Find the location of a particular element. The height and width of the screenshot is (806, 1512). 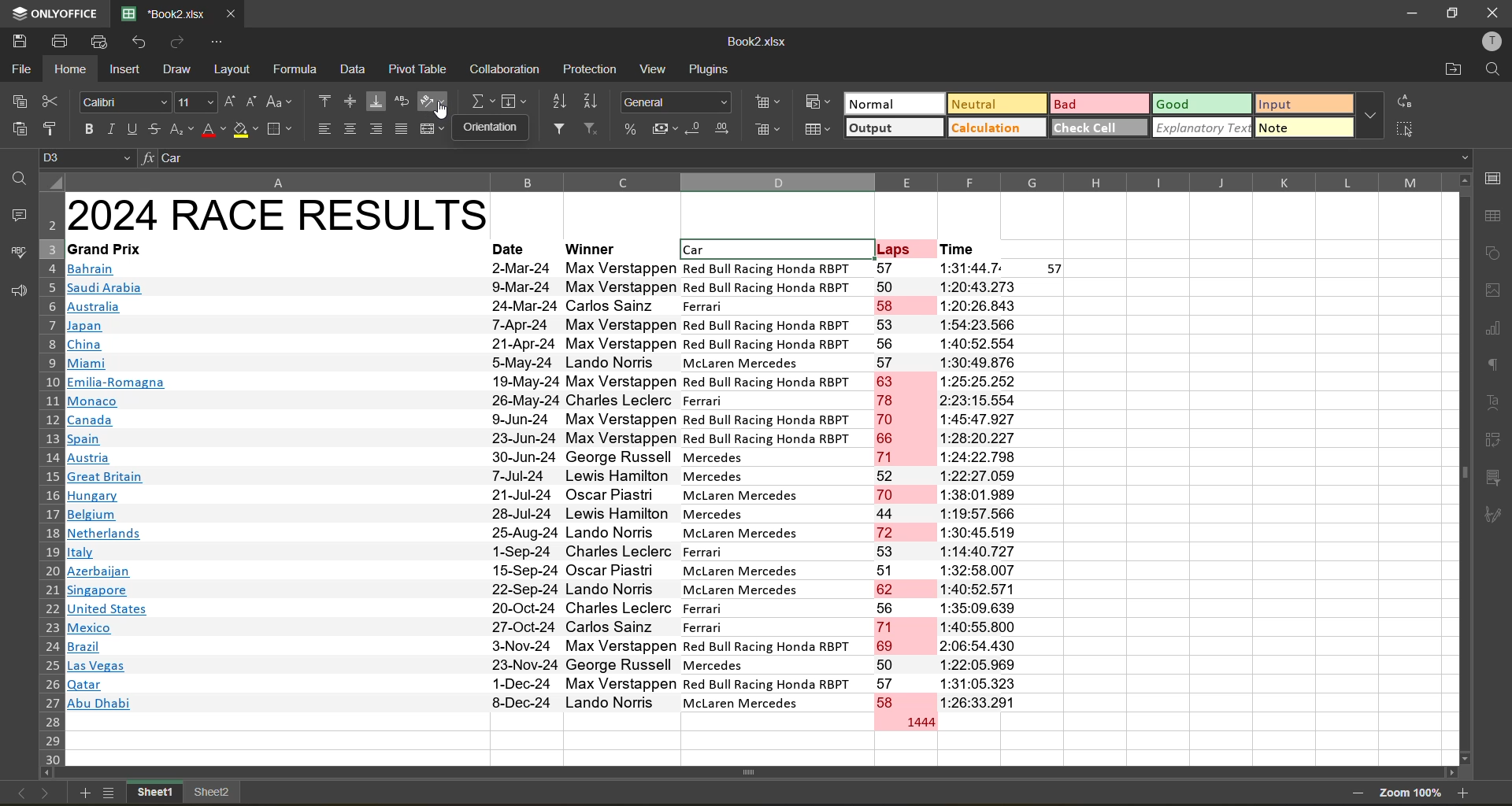

font size is located at coordinates (195, 102).